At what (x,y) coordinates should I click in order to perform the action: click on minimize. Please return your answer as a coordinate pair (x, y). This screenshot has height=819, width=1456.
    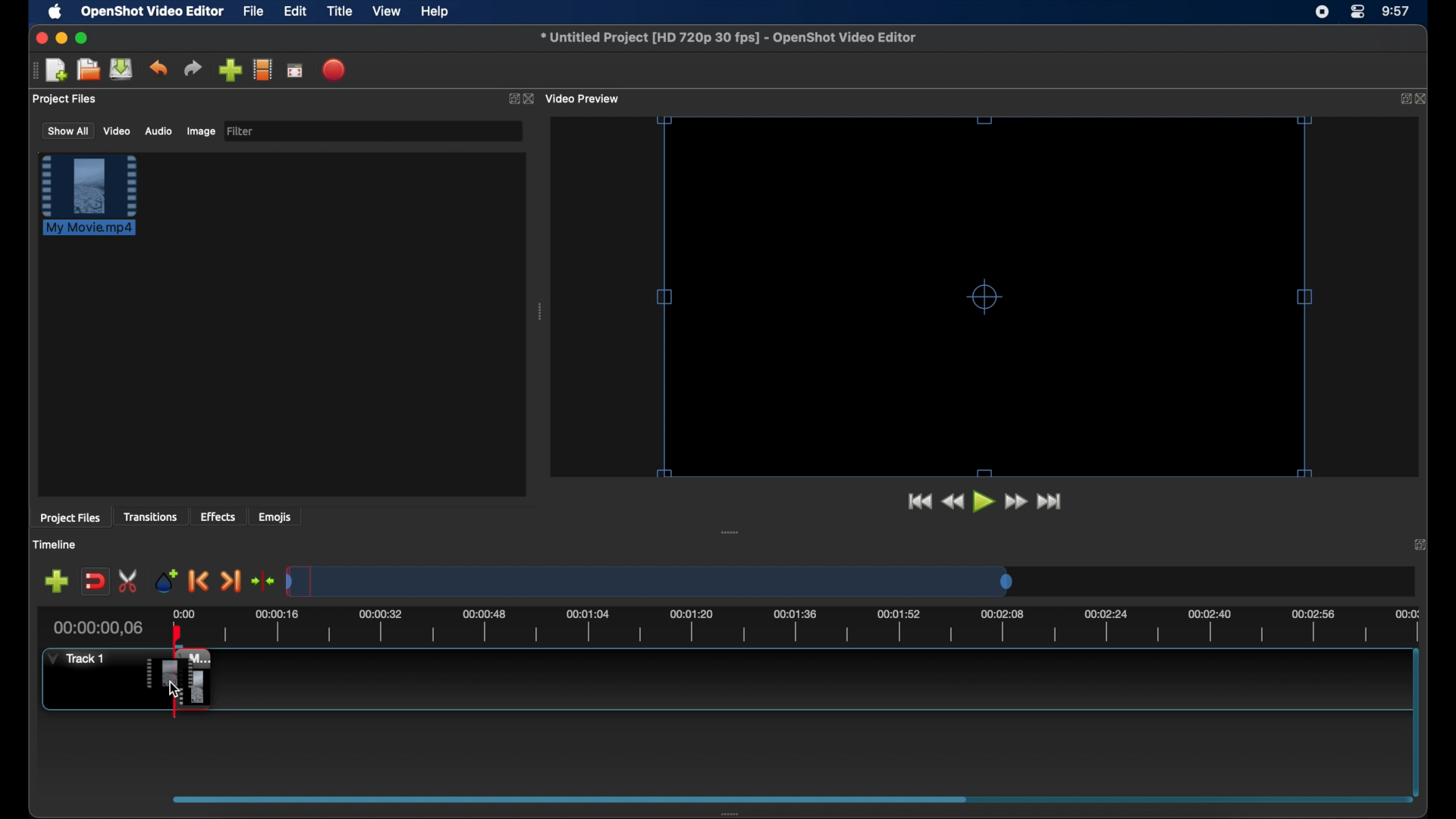
    Looking at the image, I should click on (61, 38).